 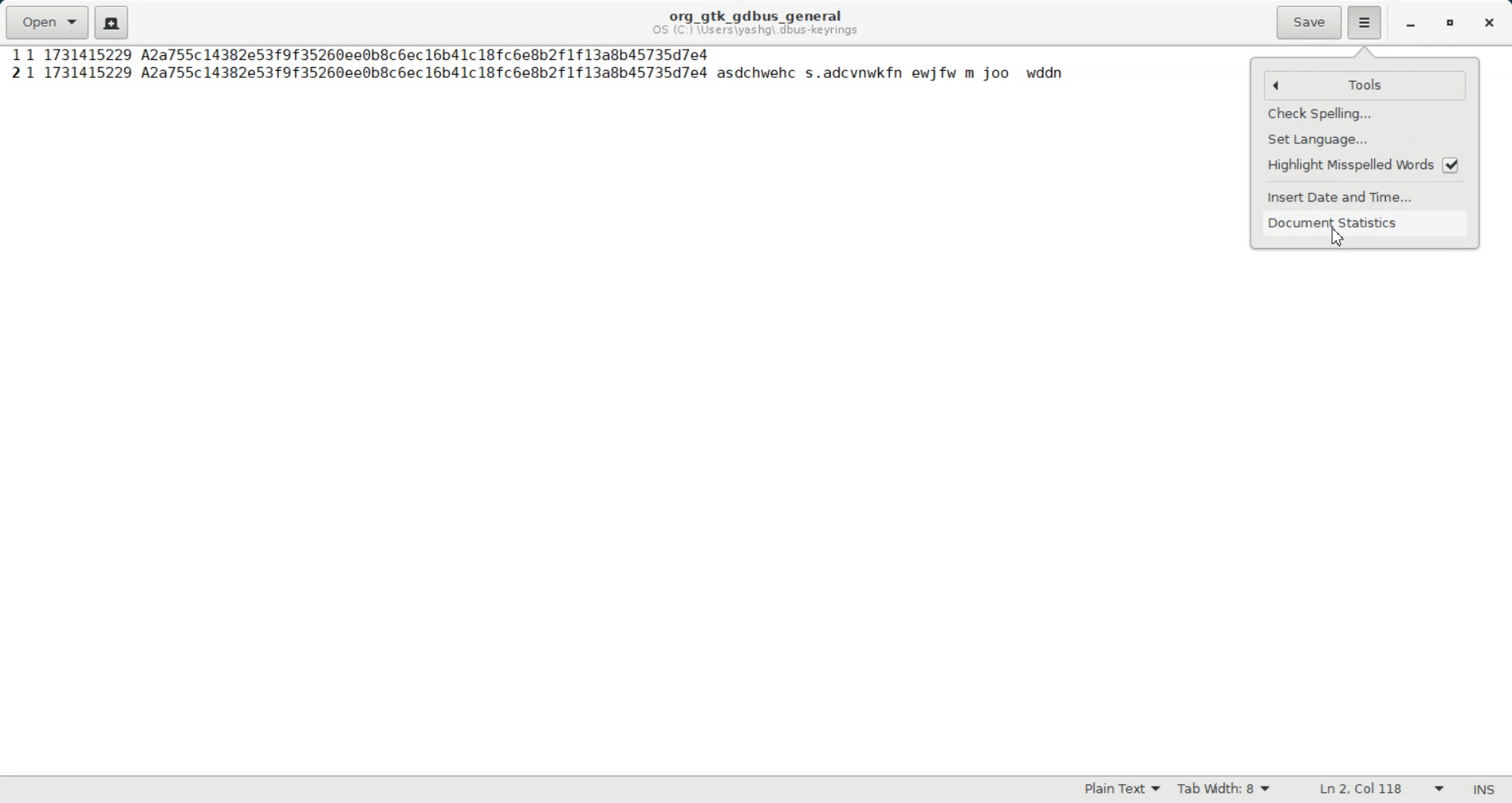 I want to click on Create a new document, so click(x=111, y=23).